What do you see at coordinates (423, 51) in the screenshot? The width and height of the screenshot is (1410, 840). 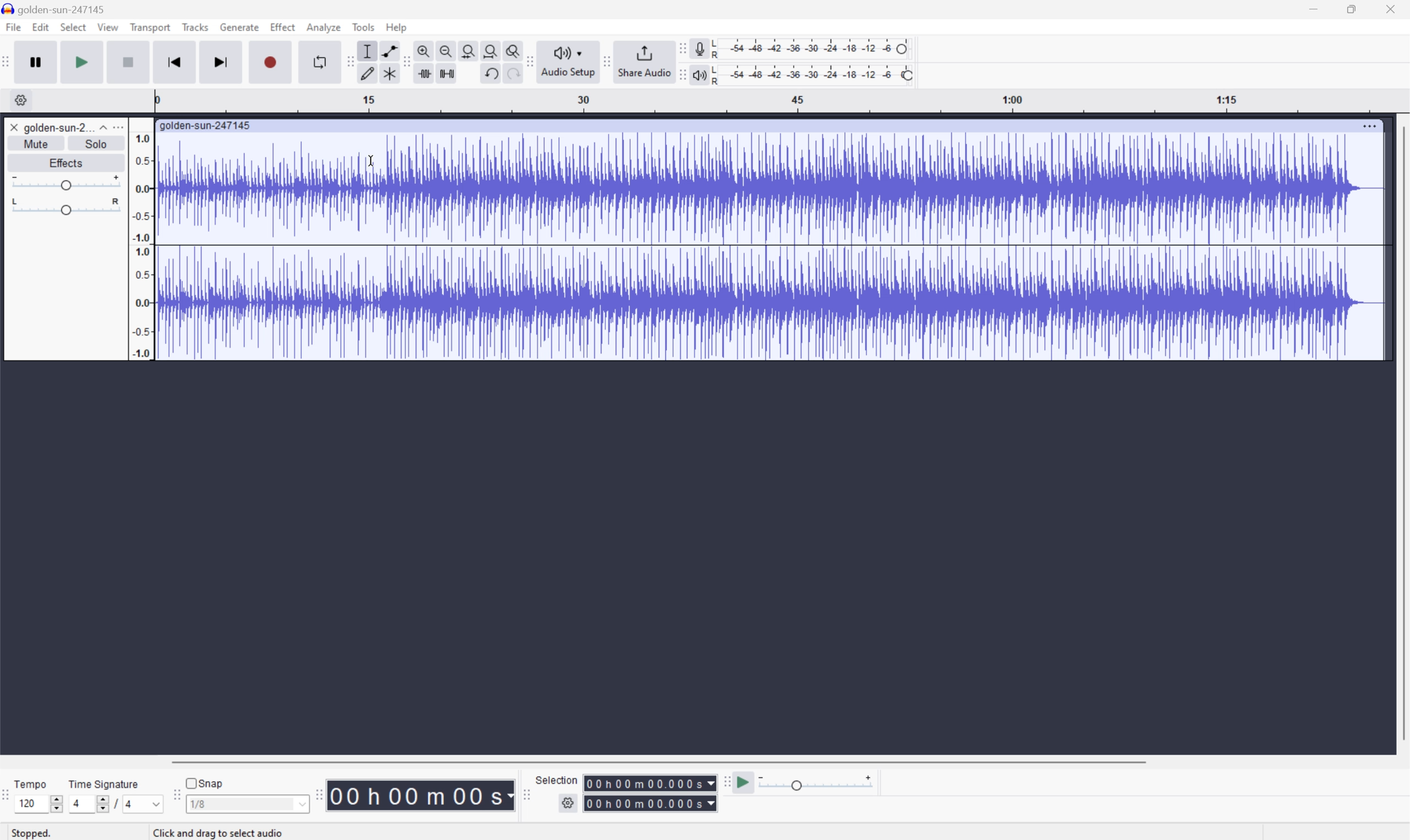 I see `Zoom in` at bounding box center [423, 51].